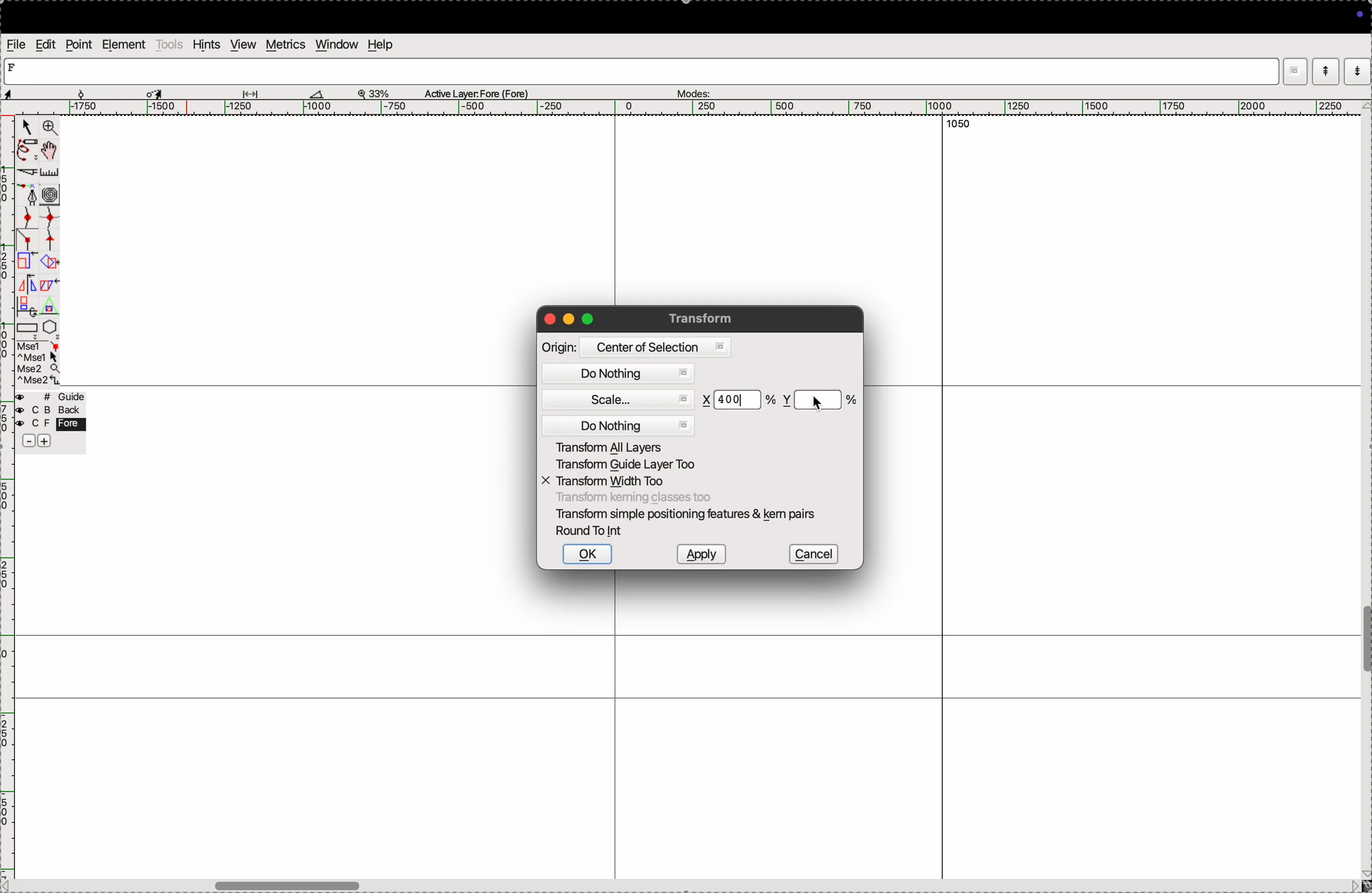 The image size is (1372, 893). What do you see at coordinates (52, 425) in the screenshot?
I see `fore` at bounding box center [52, 425].